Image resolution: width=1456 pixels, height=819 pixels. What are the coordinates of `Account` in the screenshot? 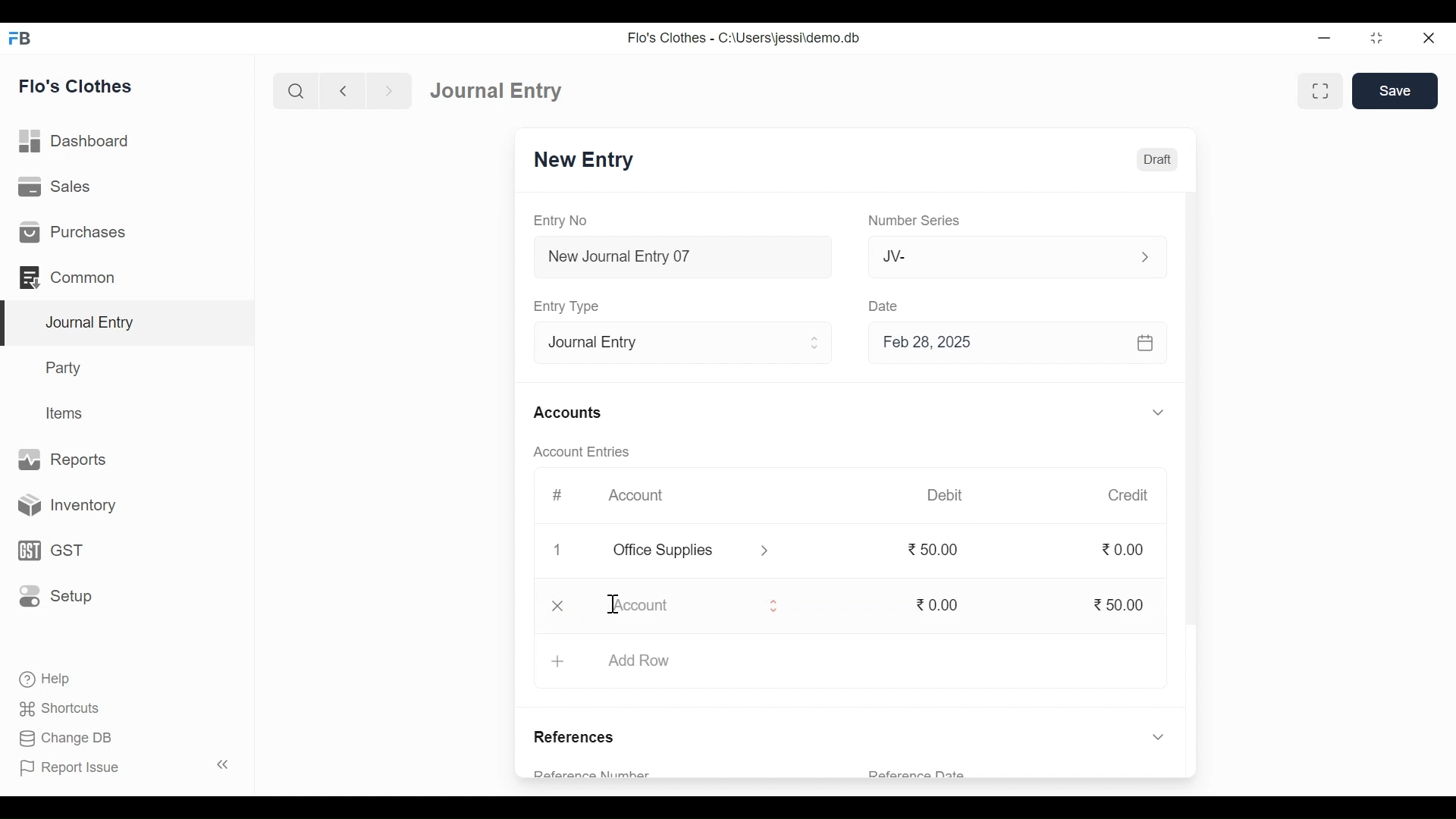 It's located at (678, 604).